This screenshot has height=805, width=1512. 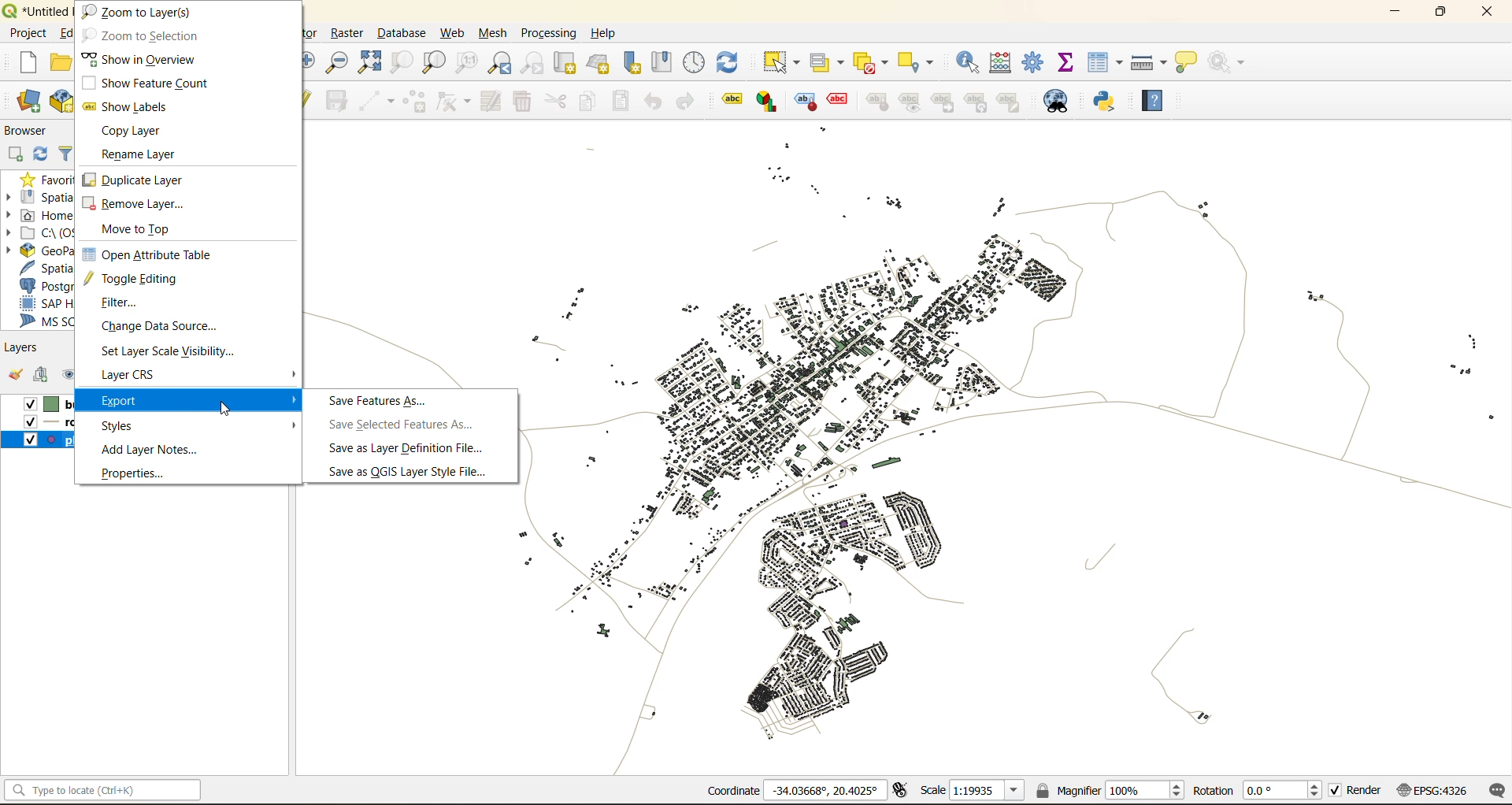 I want to click on open, so click(x=16, y=376).